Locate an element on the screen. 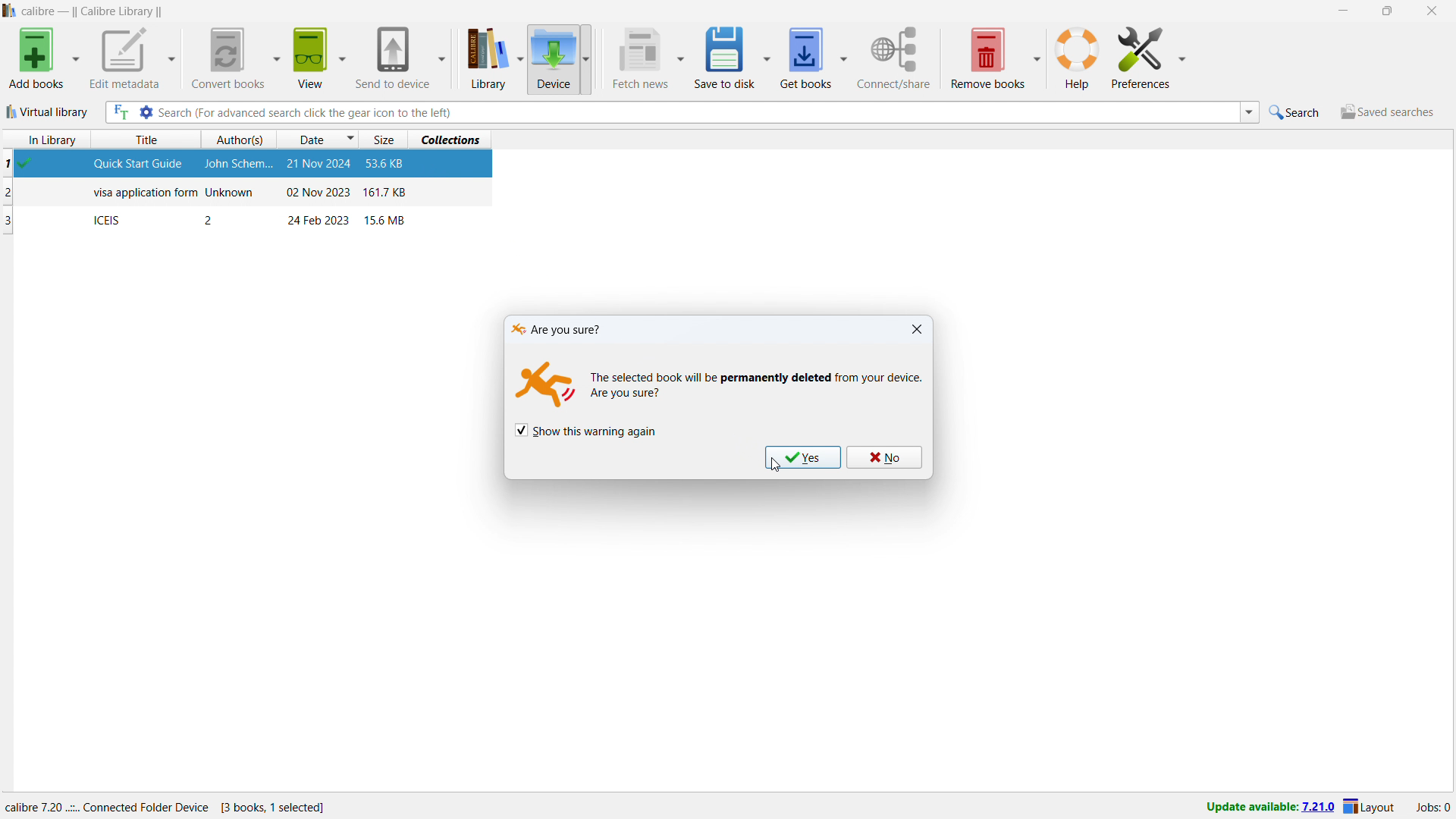 This screenshot has height=819, width=1456. minimize is located at coordinates (1342, 11).